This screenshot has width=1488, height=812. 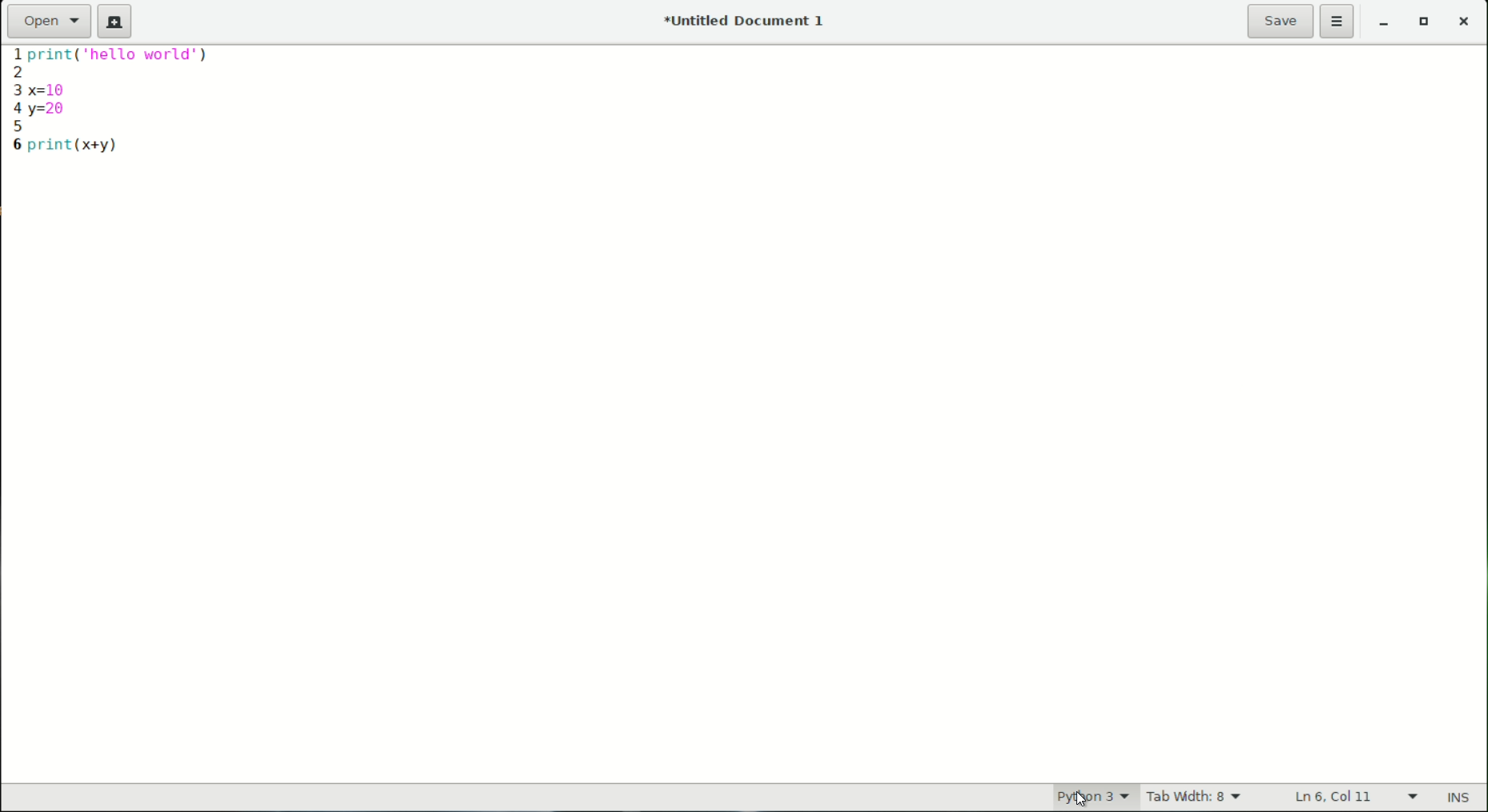 I want to click on line numbers, so click(x=13, y=100).